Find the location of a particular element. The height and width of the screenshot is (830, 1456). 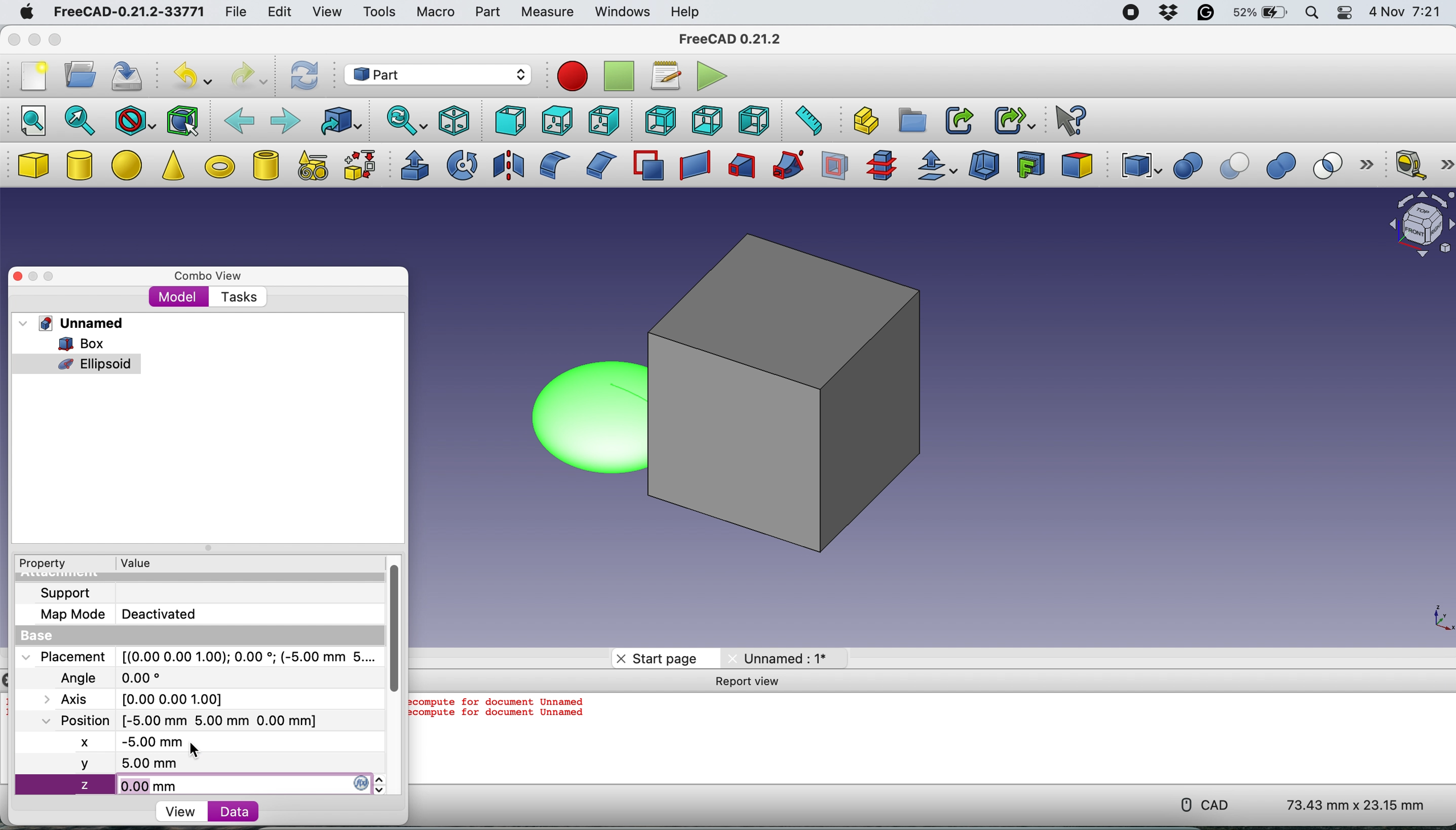

go to linked object is located at coordinates (340, 121).